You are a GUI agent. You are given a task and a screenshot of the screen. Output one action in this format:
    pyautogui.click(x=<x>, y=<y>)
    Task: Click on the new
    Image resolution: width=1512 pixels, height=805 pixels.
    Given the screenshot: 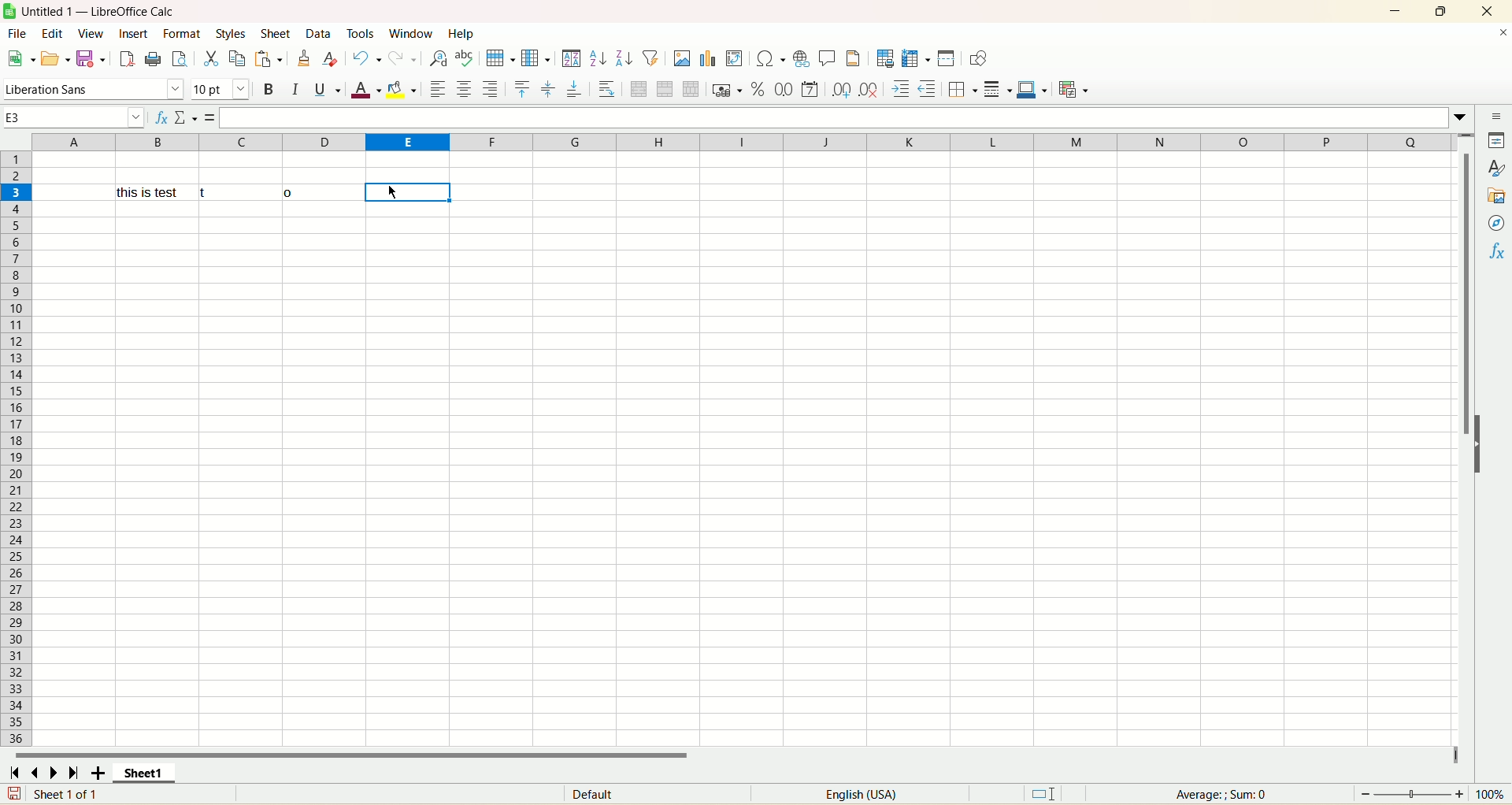 What is the action you would take?
    pyautogui.click(x=21, y=57)
    